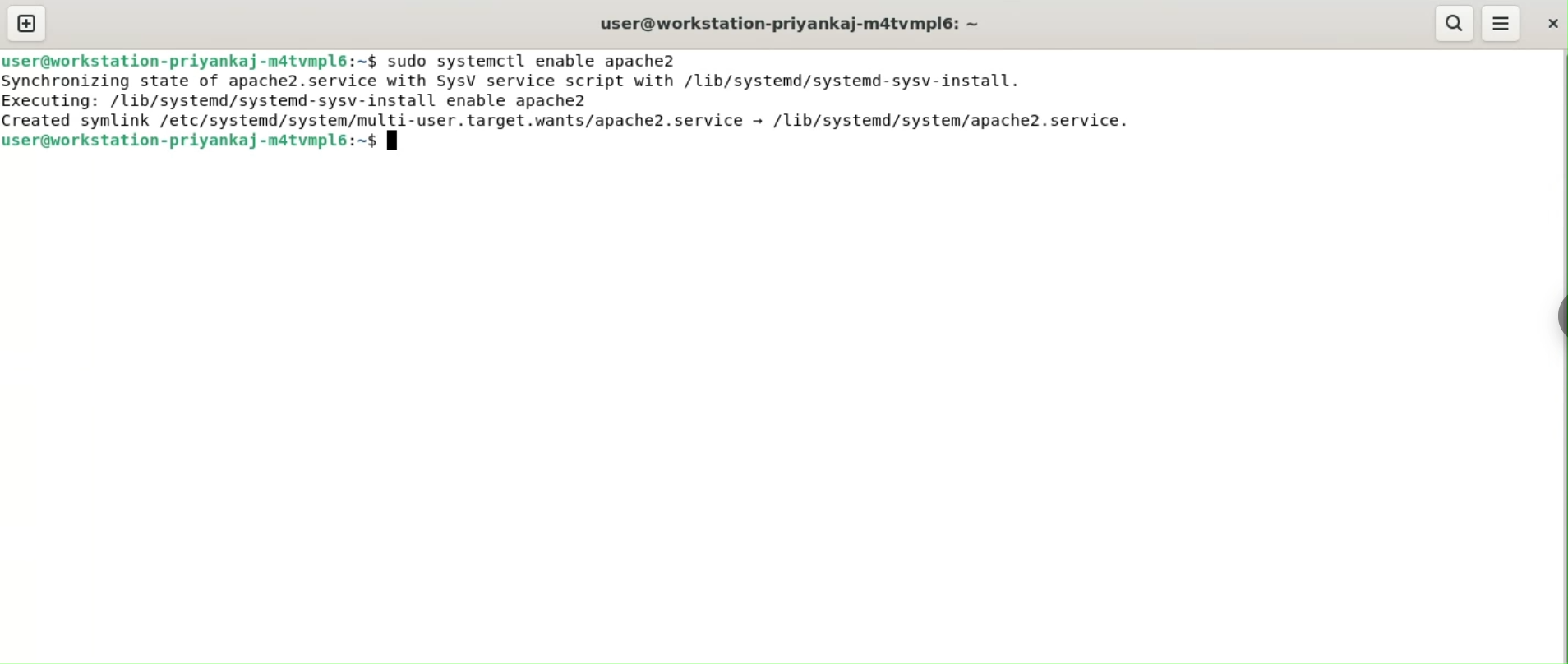 This screenshot has width=1568, height=664. I want to click on search, so click(1455, 24).